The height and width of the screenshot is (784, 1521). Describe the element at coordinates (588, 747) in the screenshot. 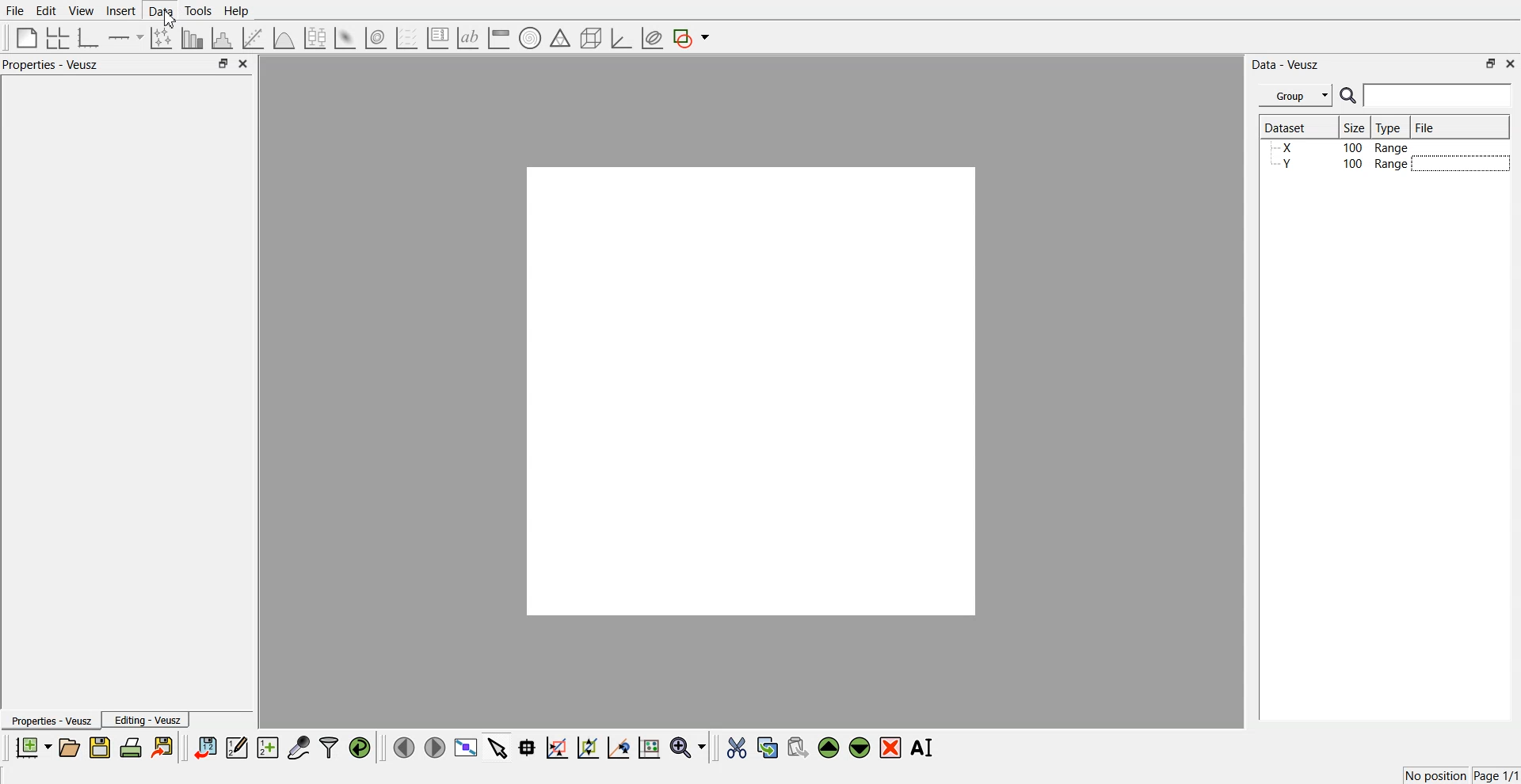

I see `Zoom out of the graph axes` at that location.